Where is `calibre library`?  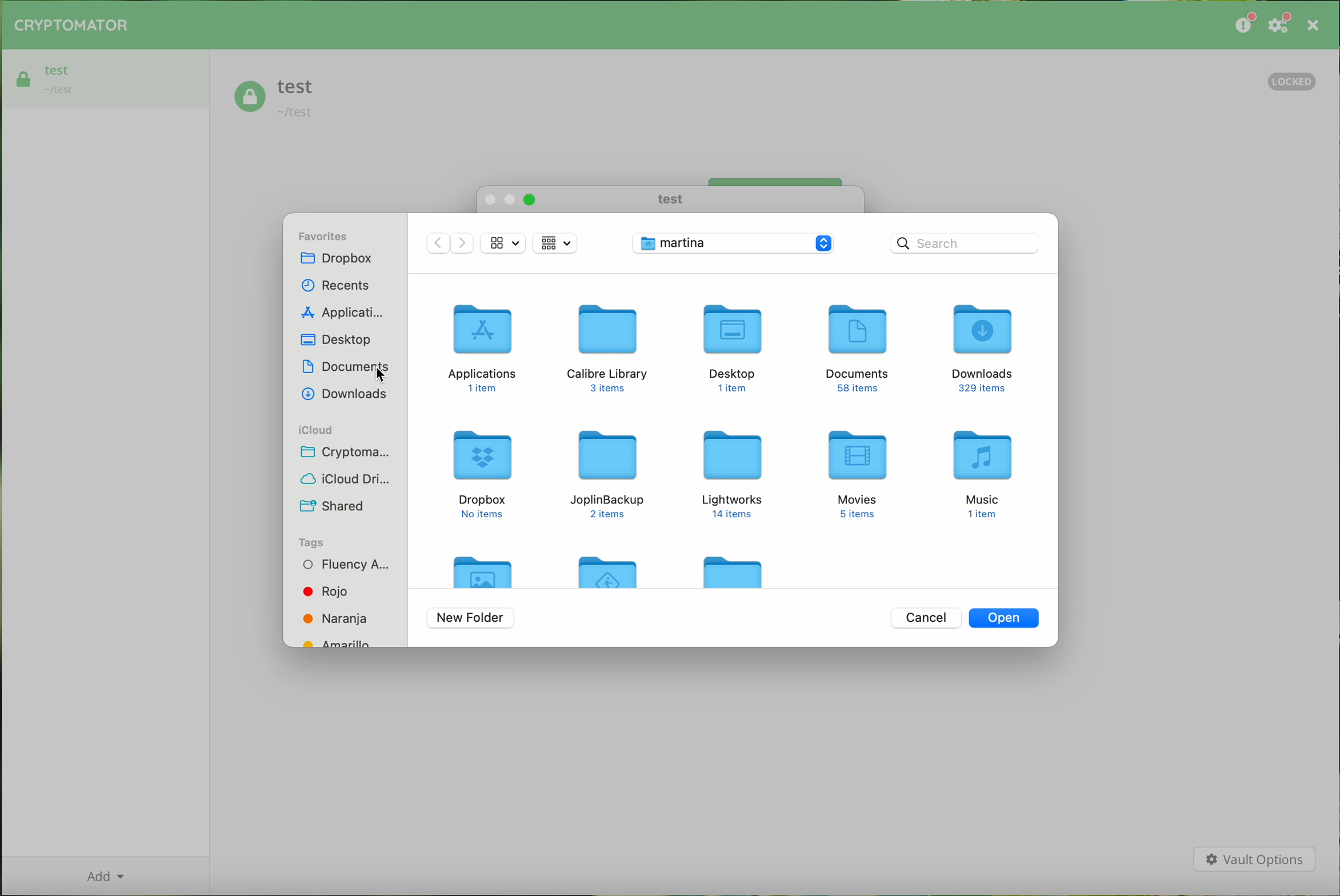
calibre library is located at coordinates (609, 349).